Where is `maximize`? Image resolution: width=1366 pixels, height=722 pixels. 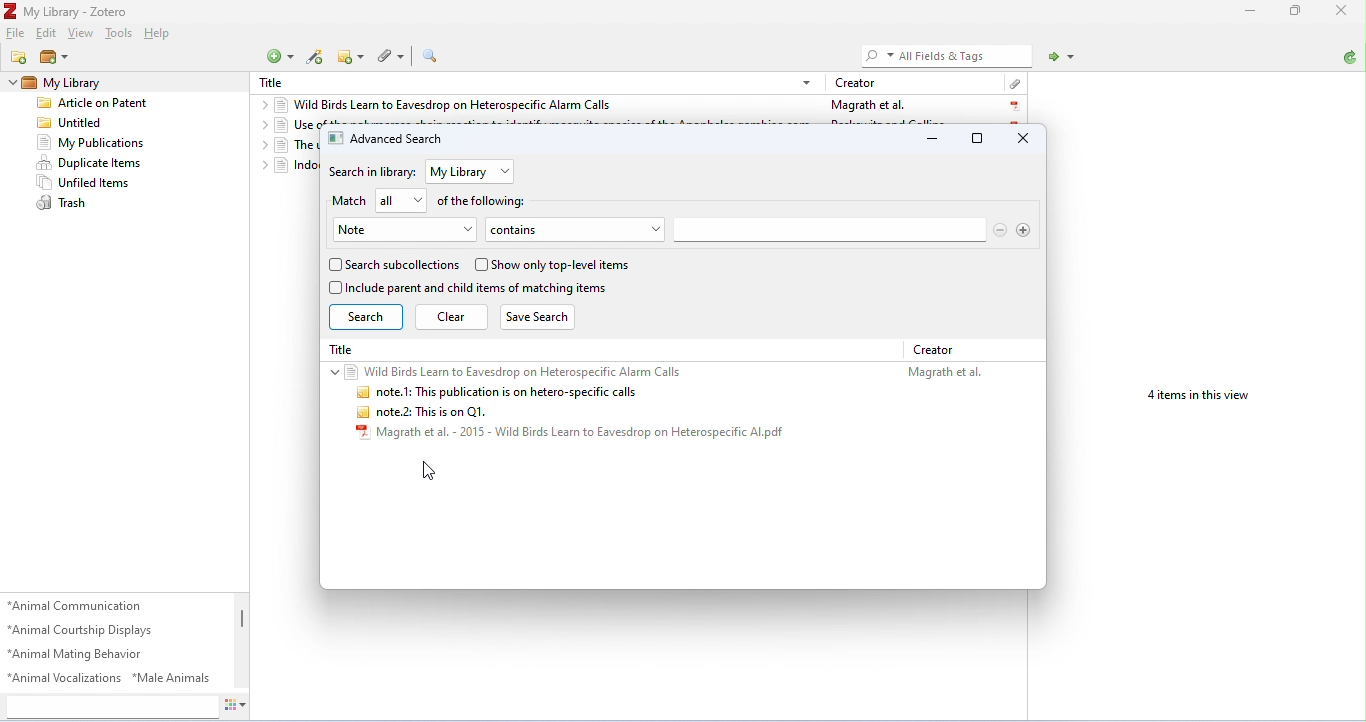 maximize is located at coordinates (1292, 11).